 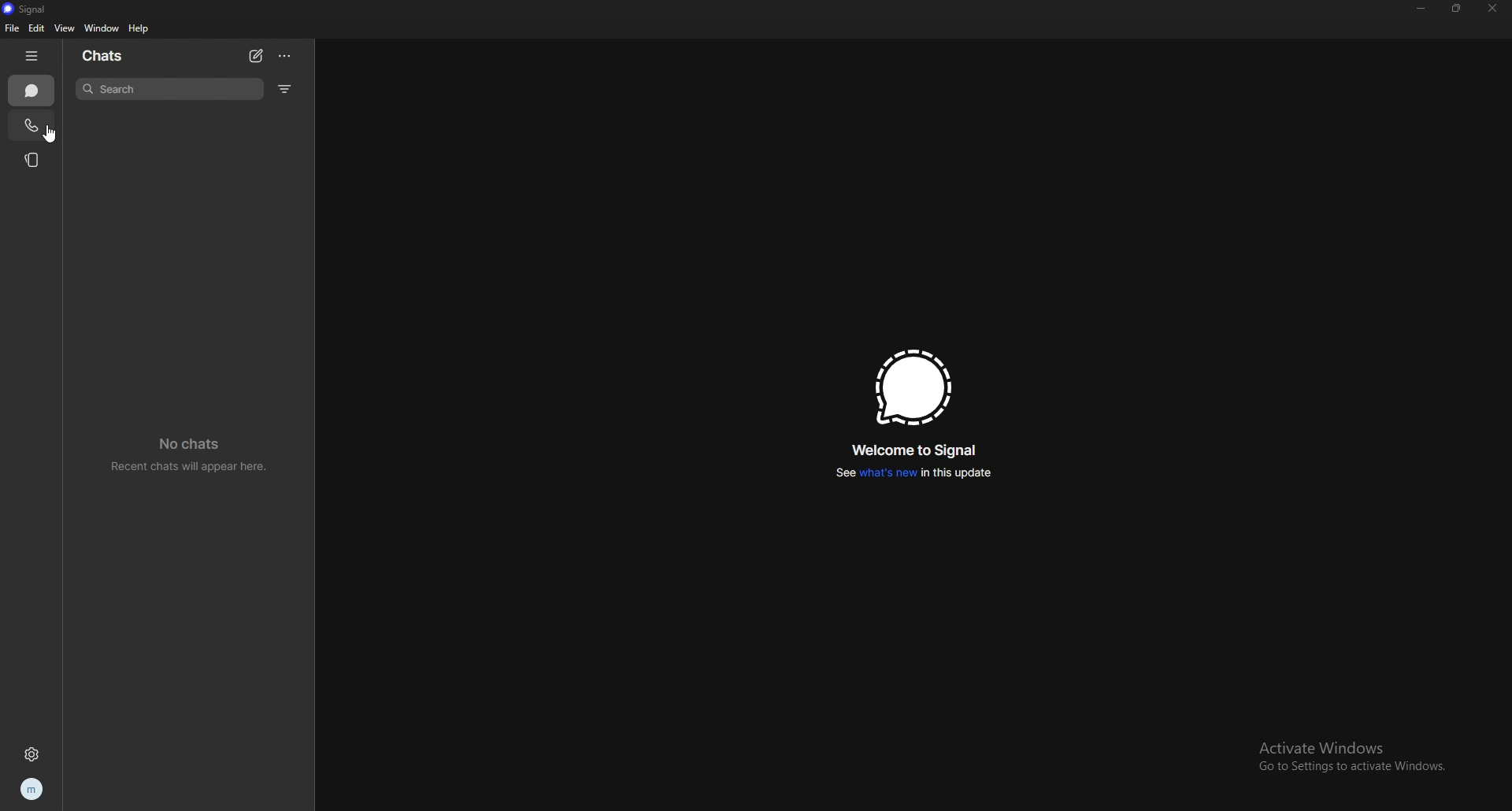 What do you see at coordinates (914, 473) in the screenshot?
I see `see whats new in this update` at bounding box center [914, 473].